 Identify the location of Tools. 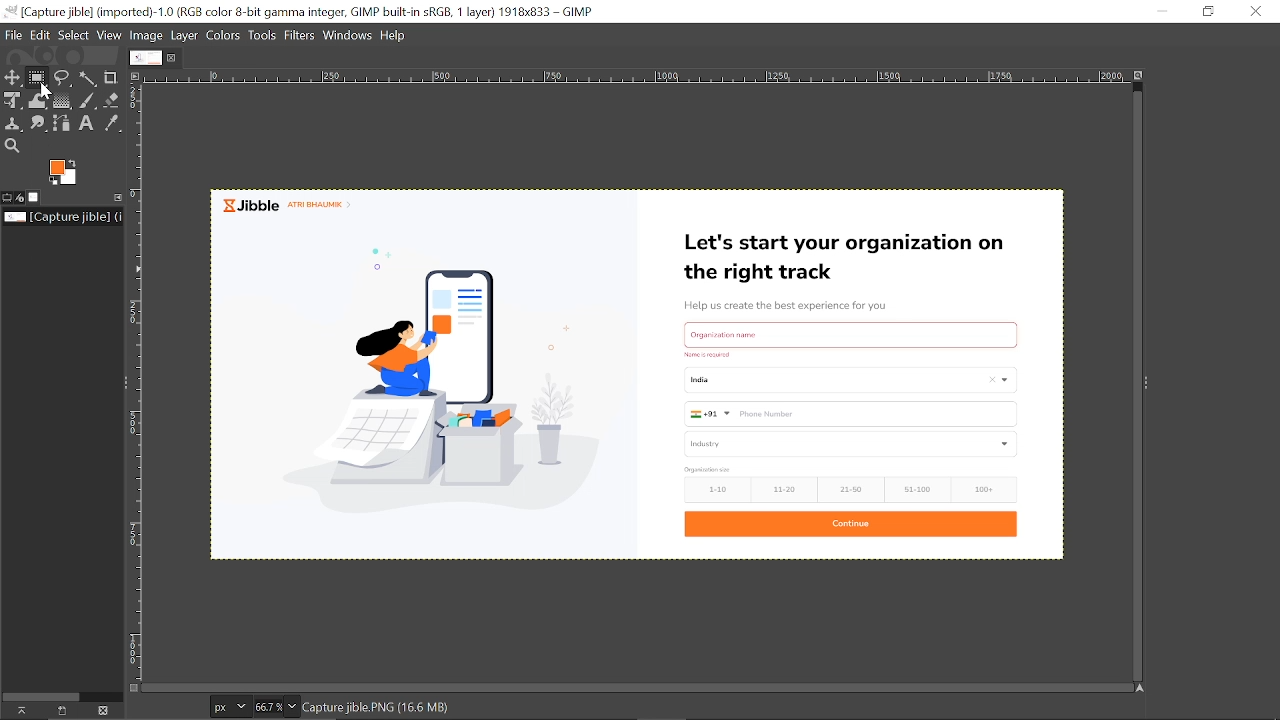
(264, 35).